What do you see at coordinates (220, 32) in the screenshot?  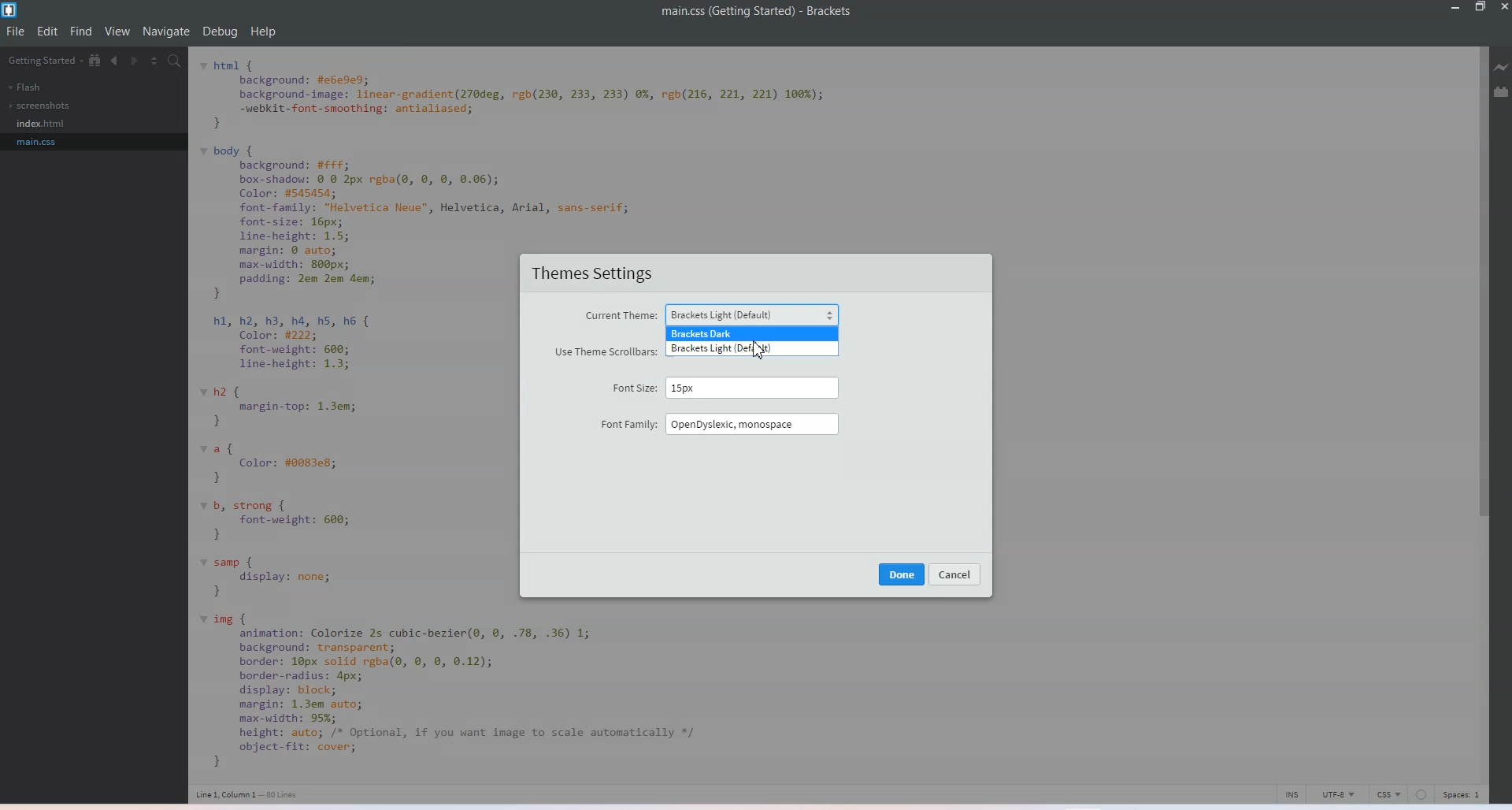 I see `Debug` at bounding box center [220, 32].